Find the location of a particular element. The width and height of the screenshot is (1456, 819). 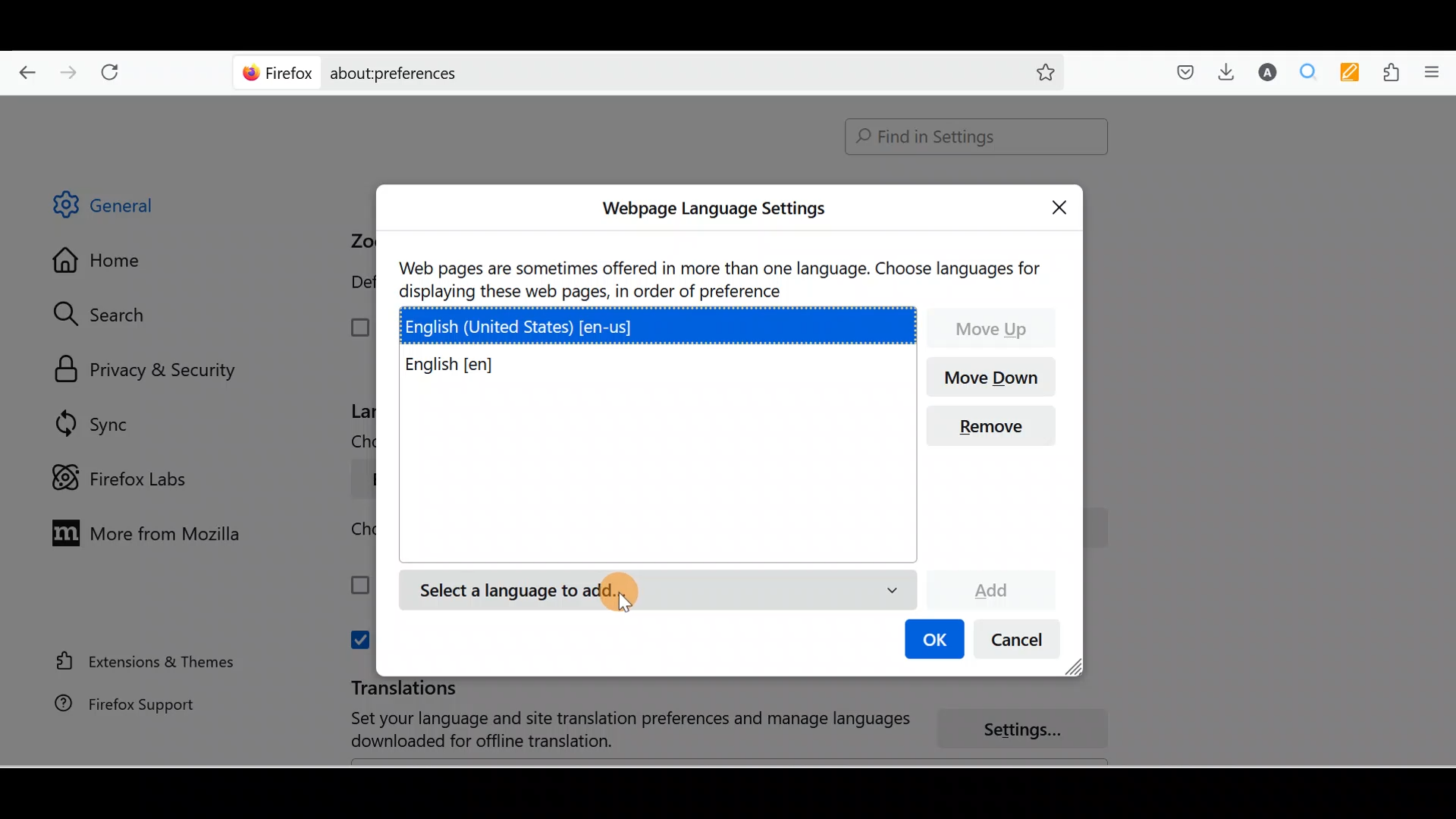

Go forward back one page is located at coordinates (71, 71).